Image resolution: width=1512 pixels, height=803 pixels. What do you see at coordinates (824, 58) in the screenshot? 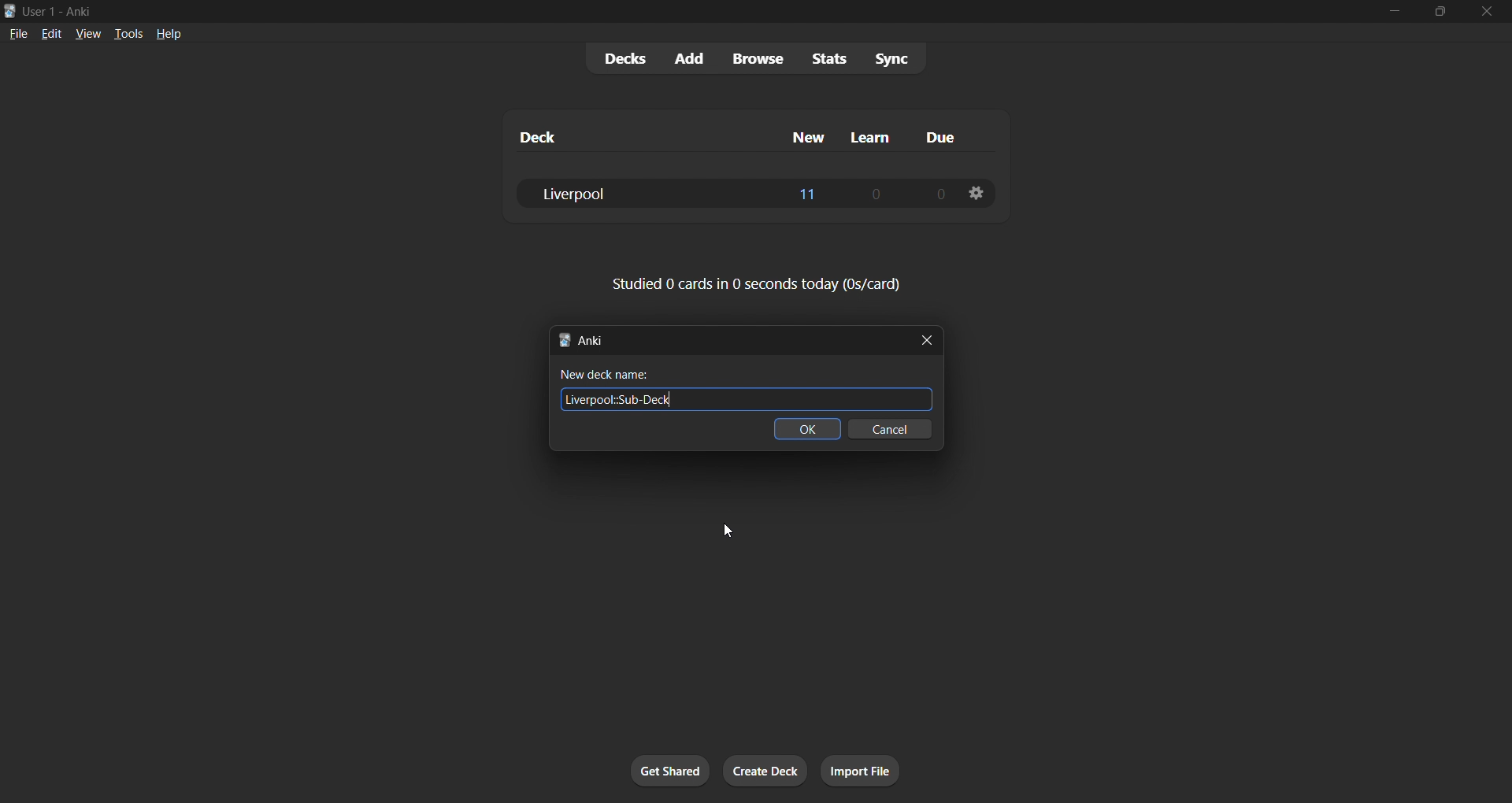
I see `stats` at bounding box center [824, 58].